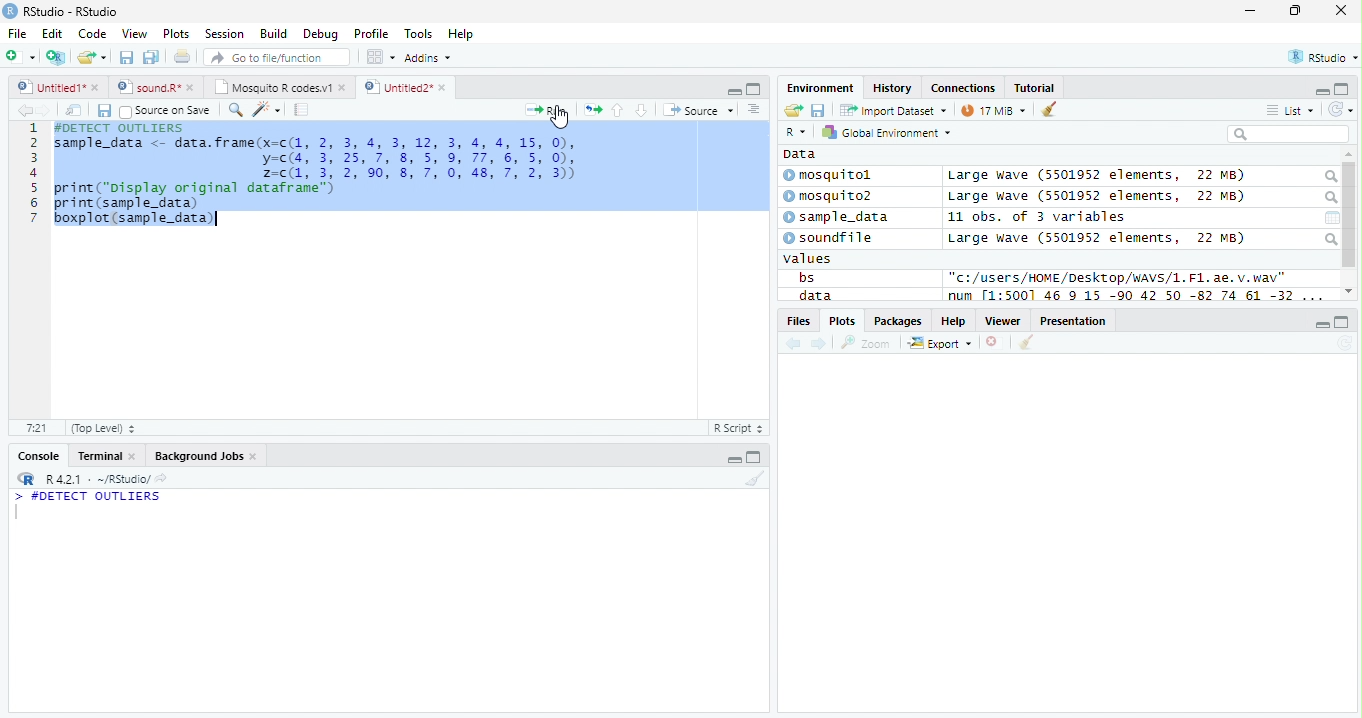  What do you see at coordinates (371, 33) in the screenshot?
I see `Profile` at bounding box center [371, 33].